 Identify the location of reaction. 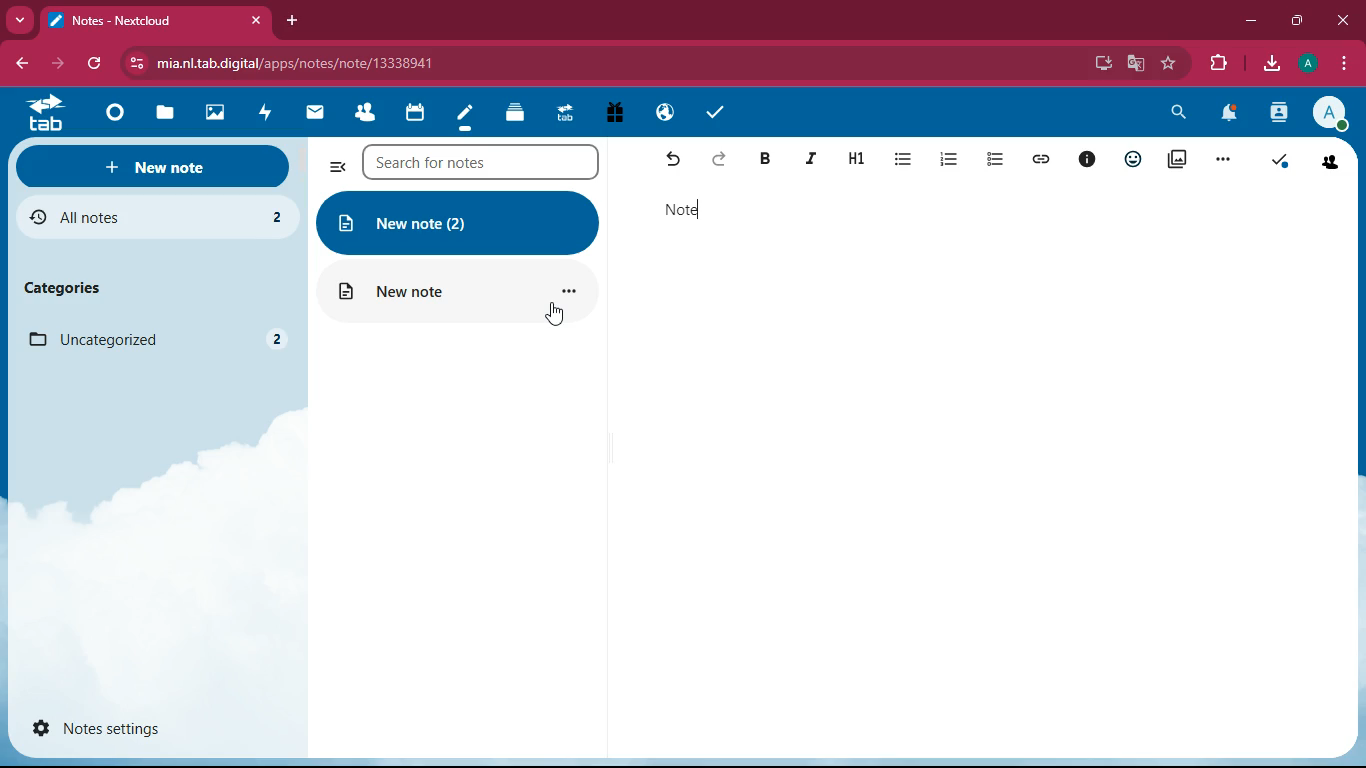
(1133, 158).